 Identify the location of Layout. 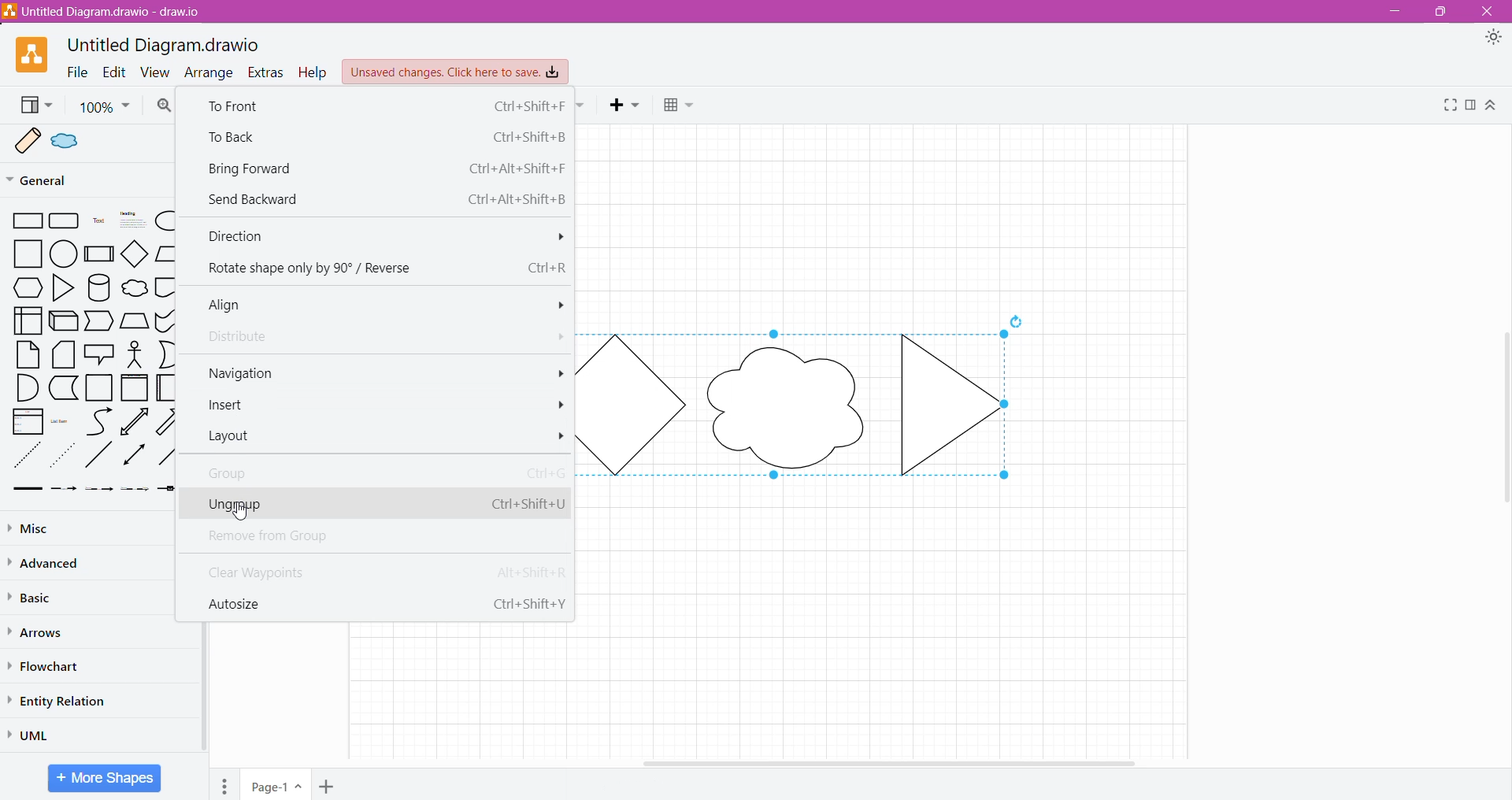
(387, 435).